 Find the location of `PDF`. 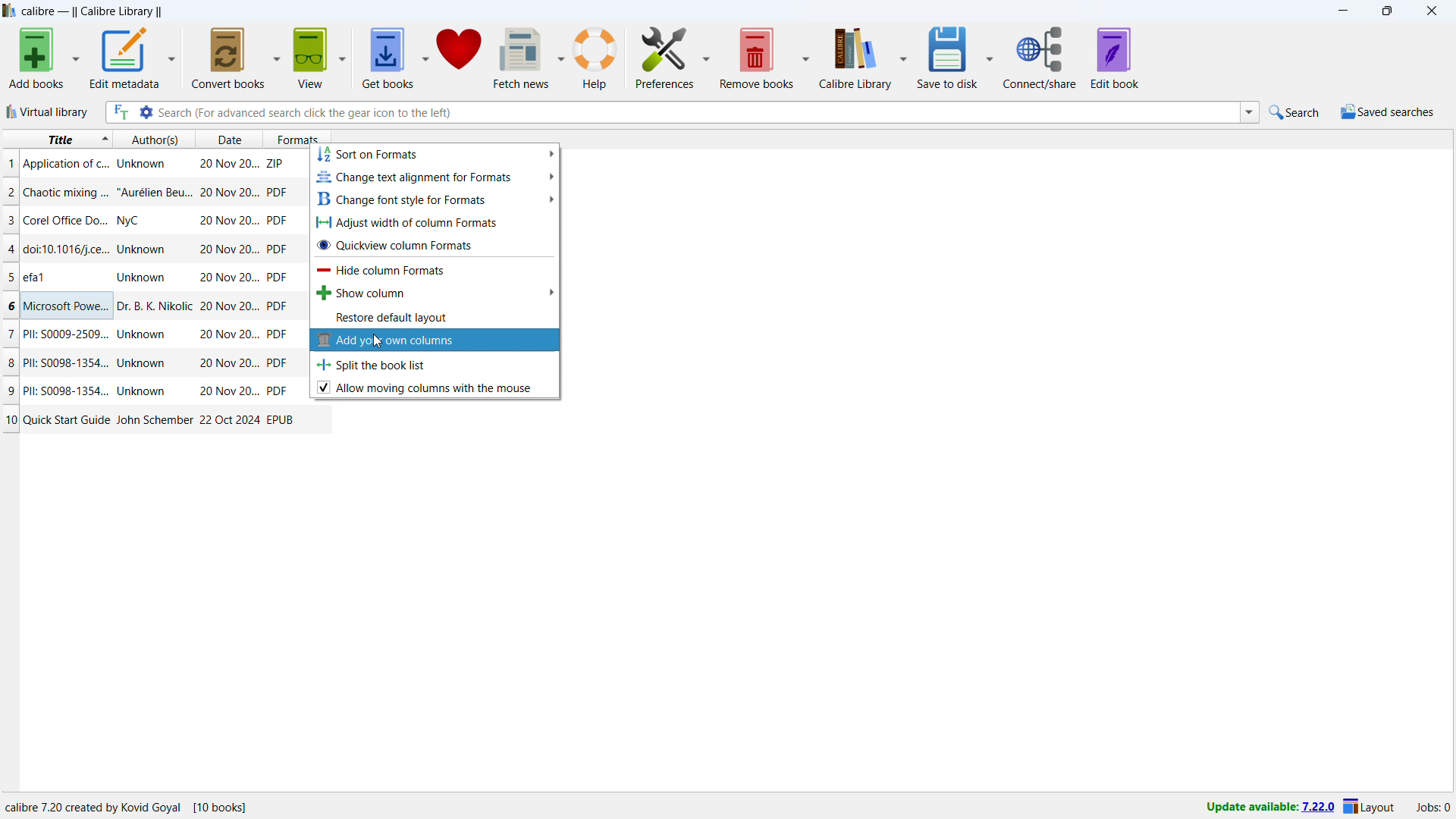

PDF is located at coordinates (279, 278).